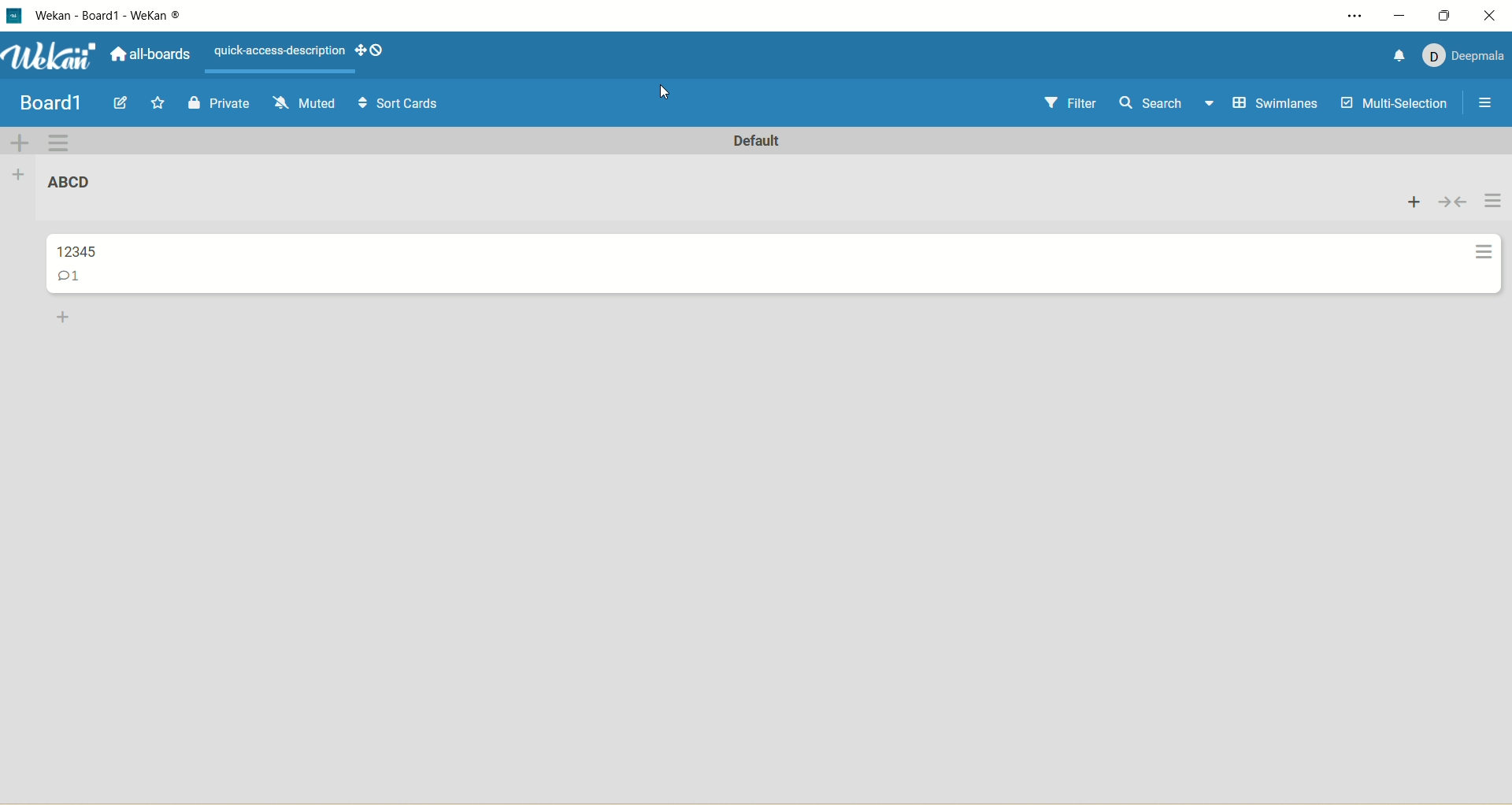  I want to click on swimlane actions, so click(60, 143).